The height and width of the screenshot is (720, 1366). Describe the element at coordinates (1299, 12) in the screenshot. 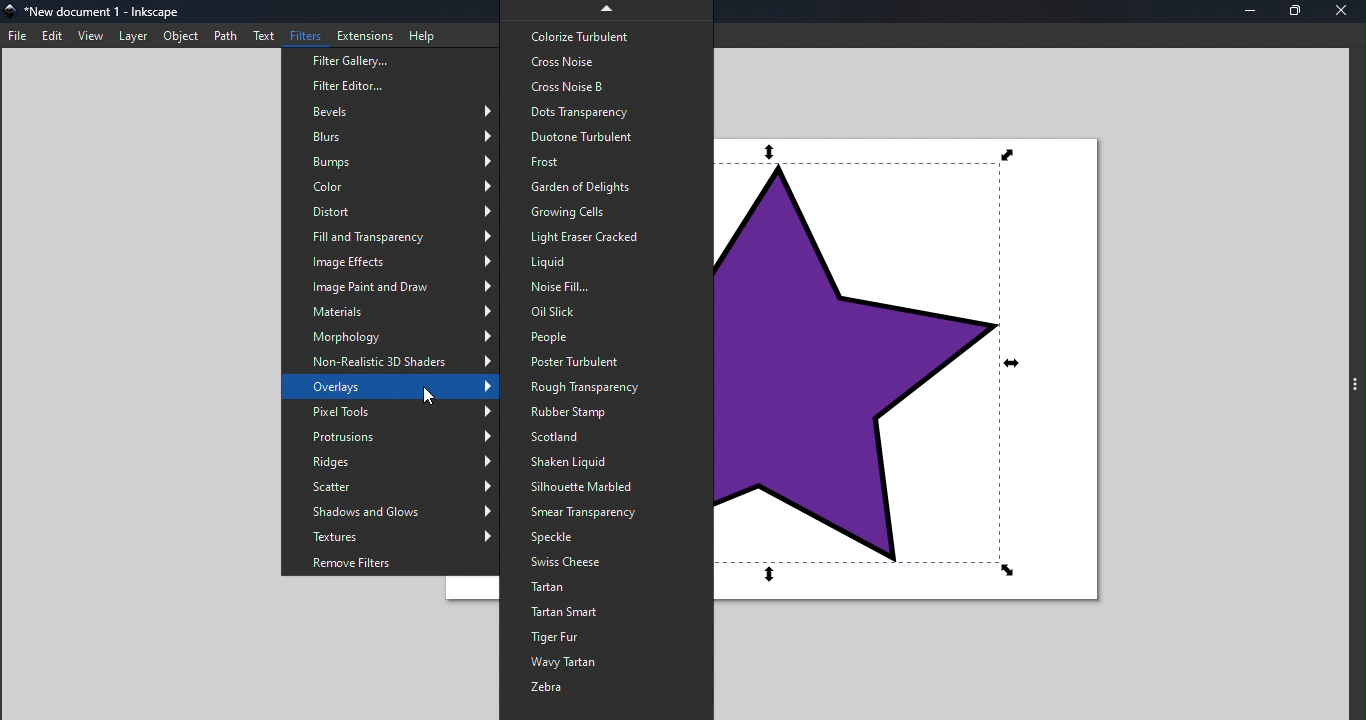

I see `Maximize` at that location.